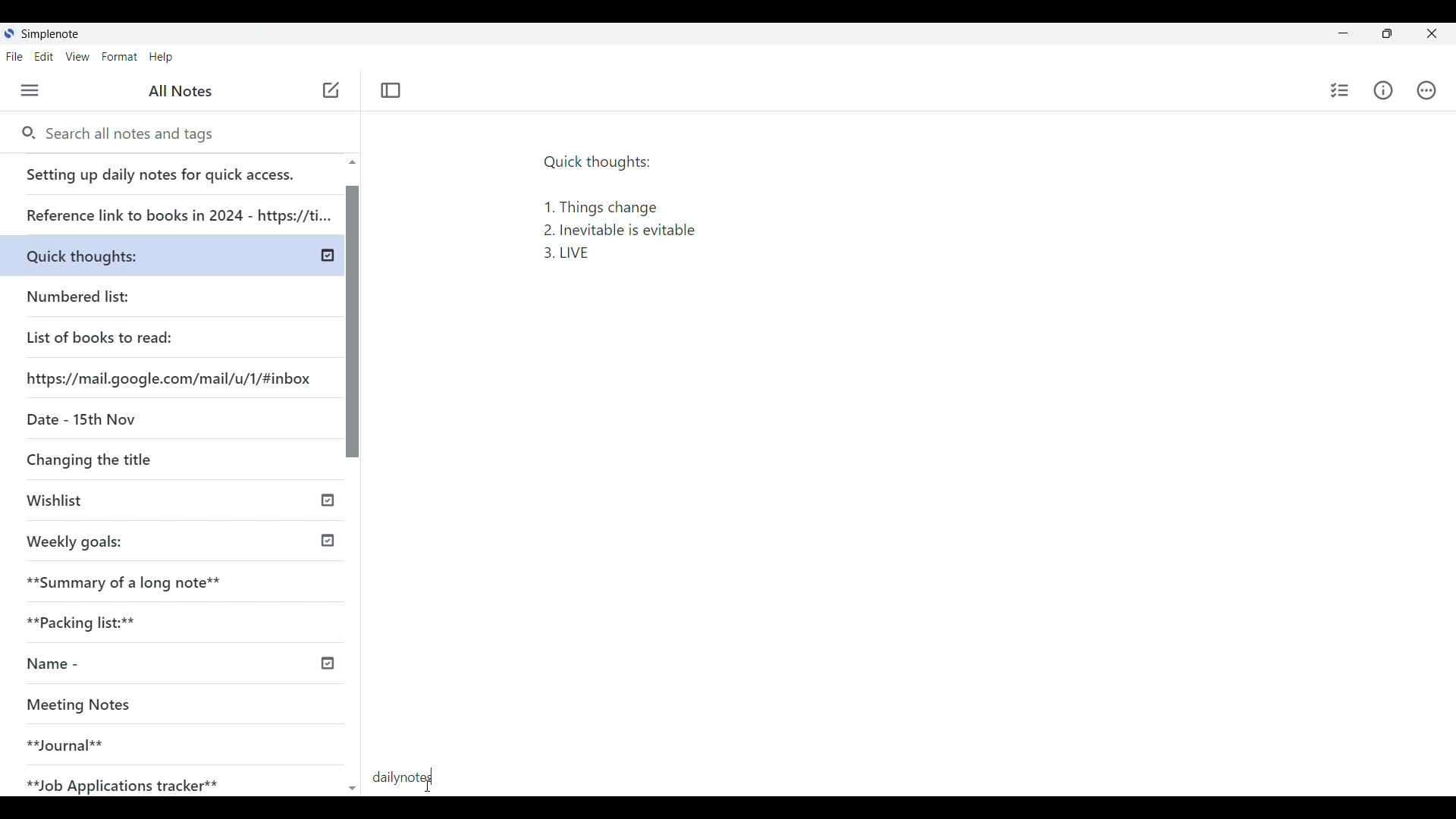  I want to click on Actions, so click(1425, 89).